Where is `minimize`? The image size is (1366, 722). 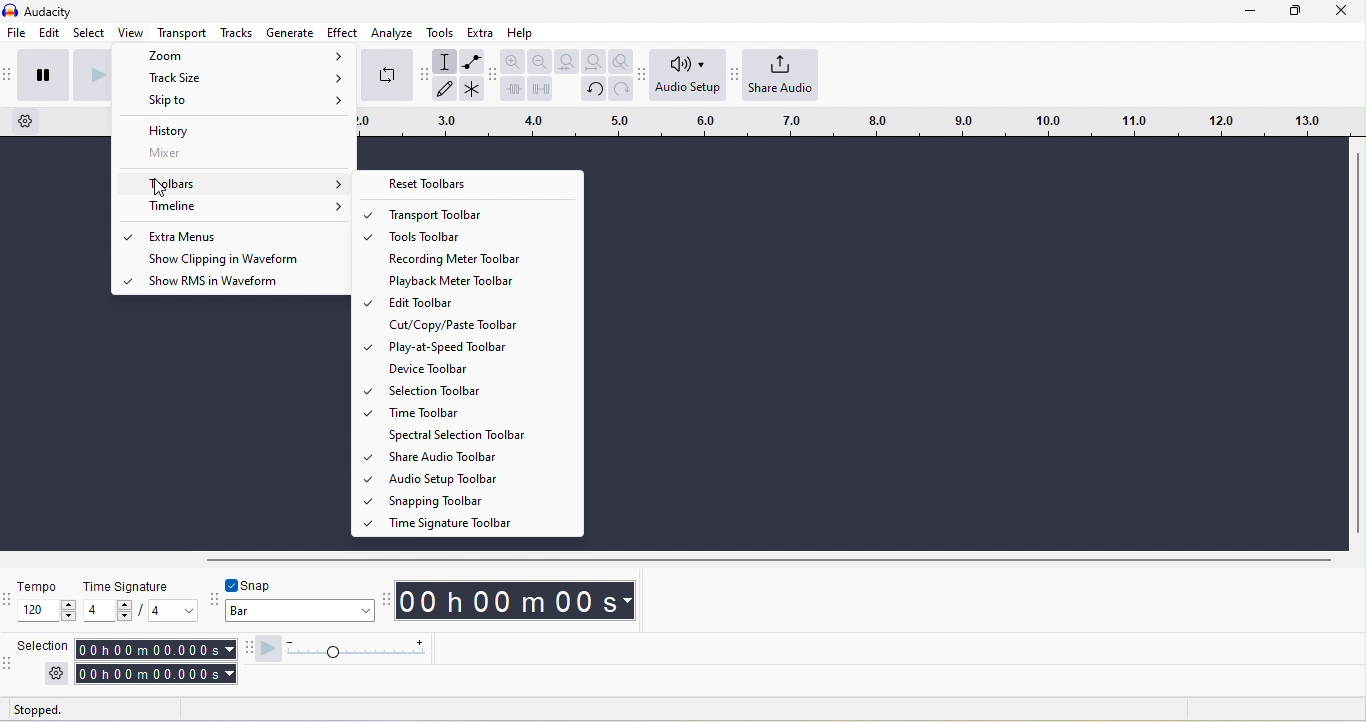
minimize is located at coordinates (1250, 11).